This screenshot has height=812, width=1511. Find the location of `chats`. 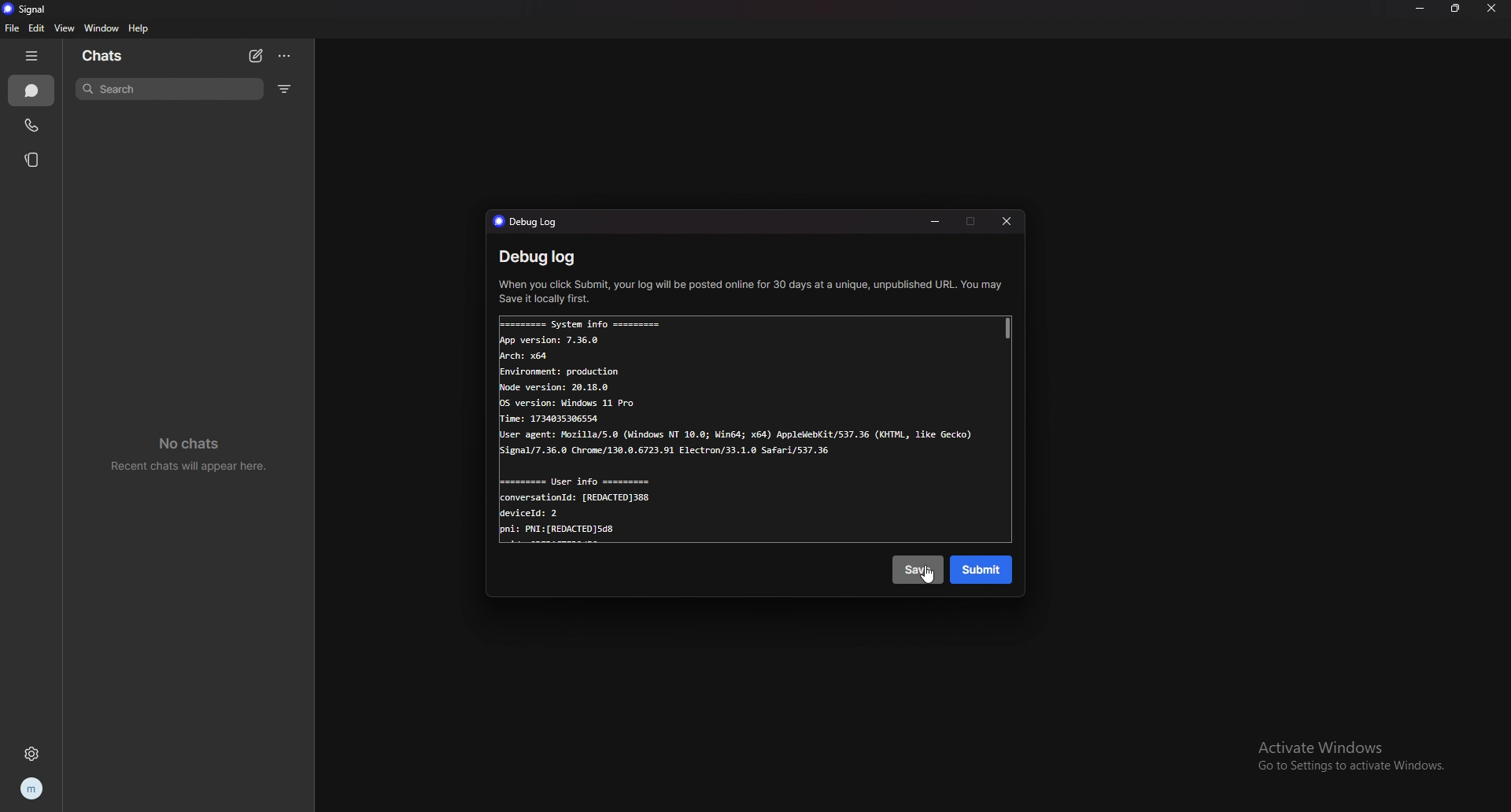

chats is located at coordinates (120, 56).